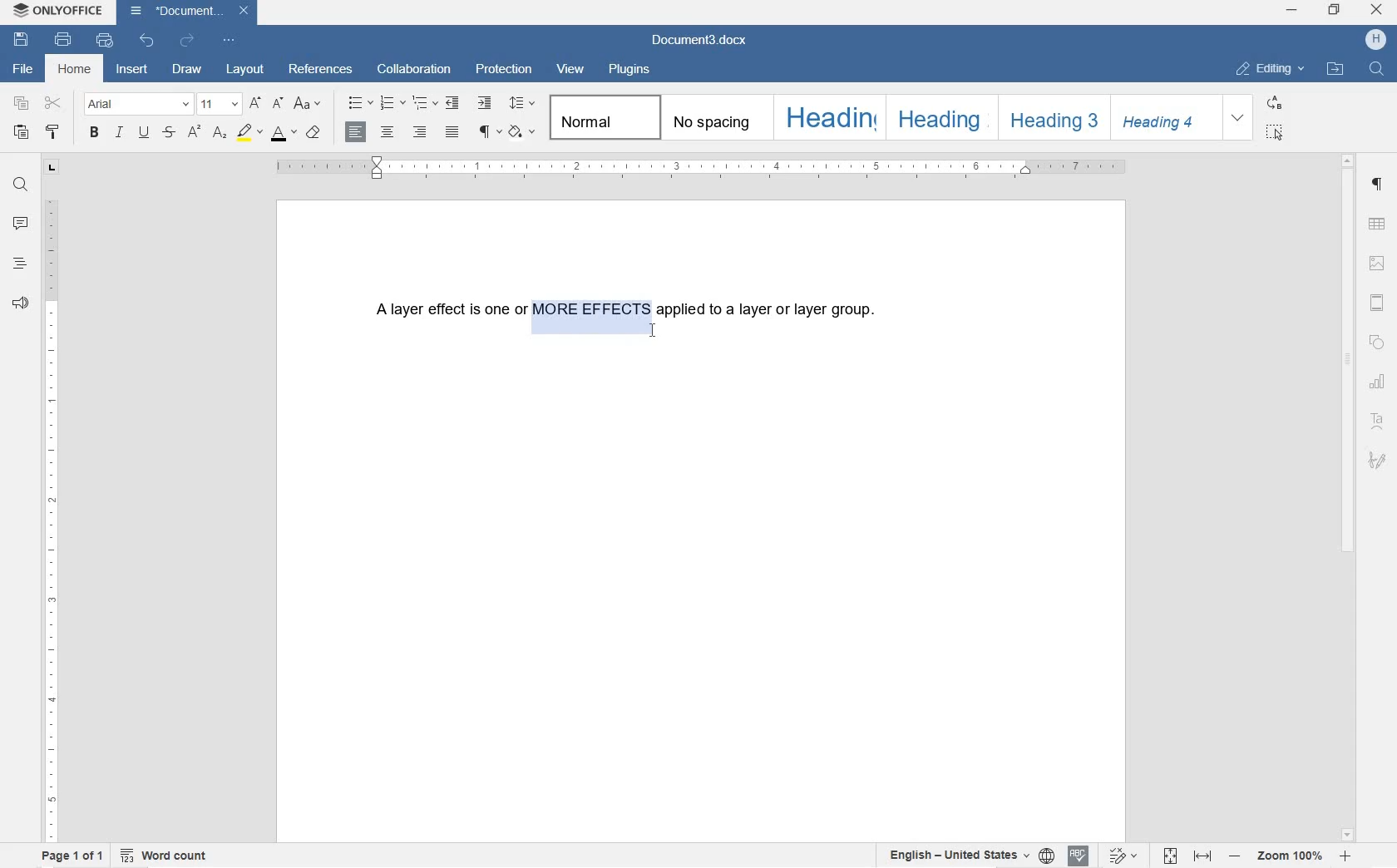 The width and height of the screenshot is (1397, 868). What do you see at coordinates (427, 105) in the screenshot?
I see `MULTILEVEL LISTS` at bounding box center [427, 105].